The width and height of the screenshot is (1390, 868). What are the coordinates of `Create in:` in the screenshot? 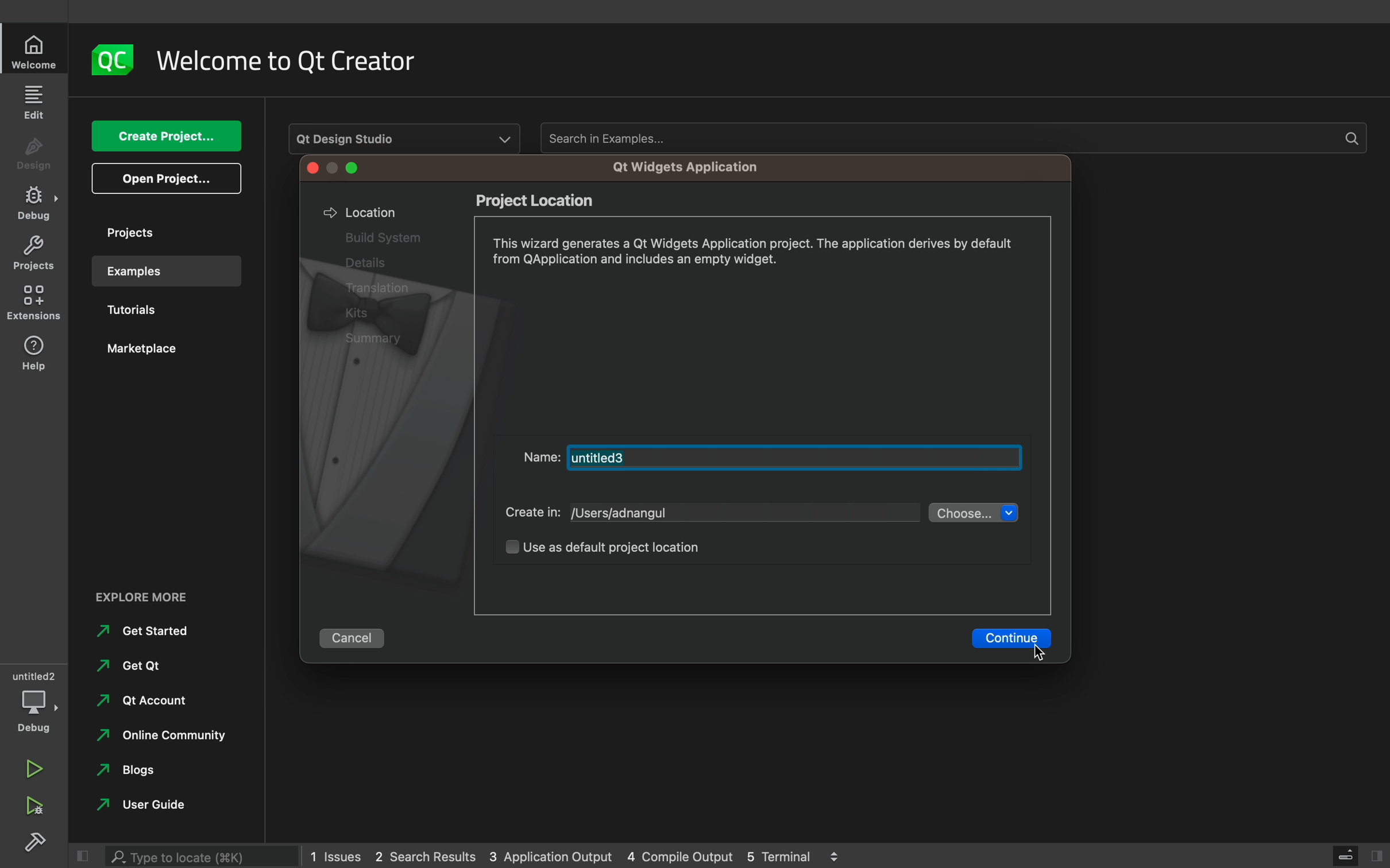 It's located at (528, 514).